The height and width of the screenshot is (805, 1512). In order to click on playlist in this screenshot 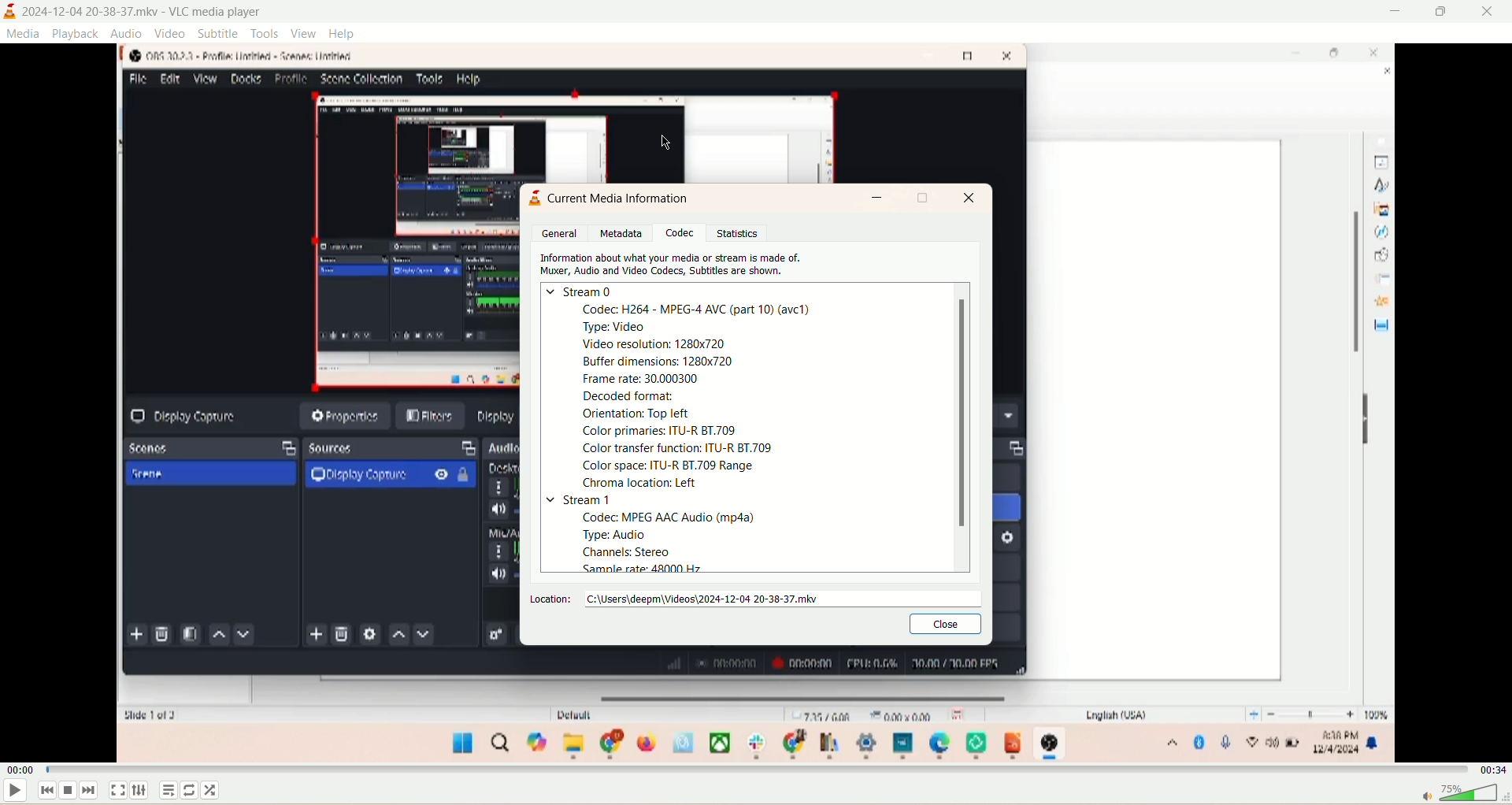, I will do `click(169, 791)`.